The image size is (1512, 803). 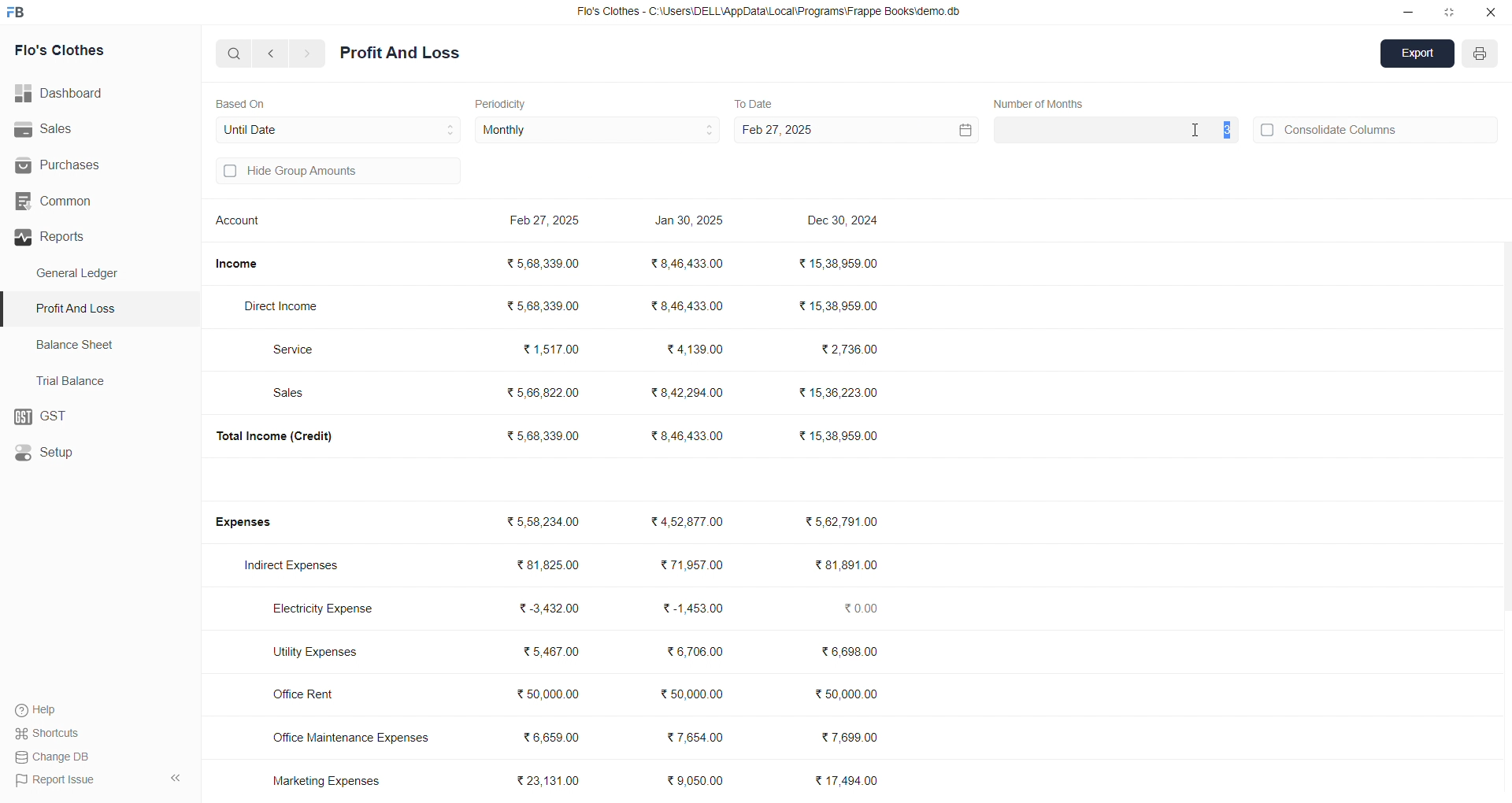 What do you see at coordinates (852, 652) in the screenshot?
I see `₹6,608.00` at bounding box center [852, 652].